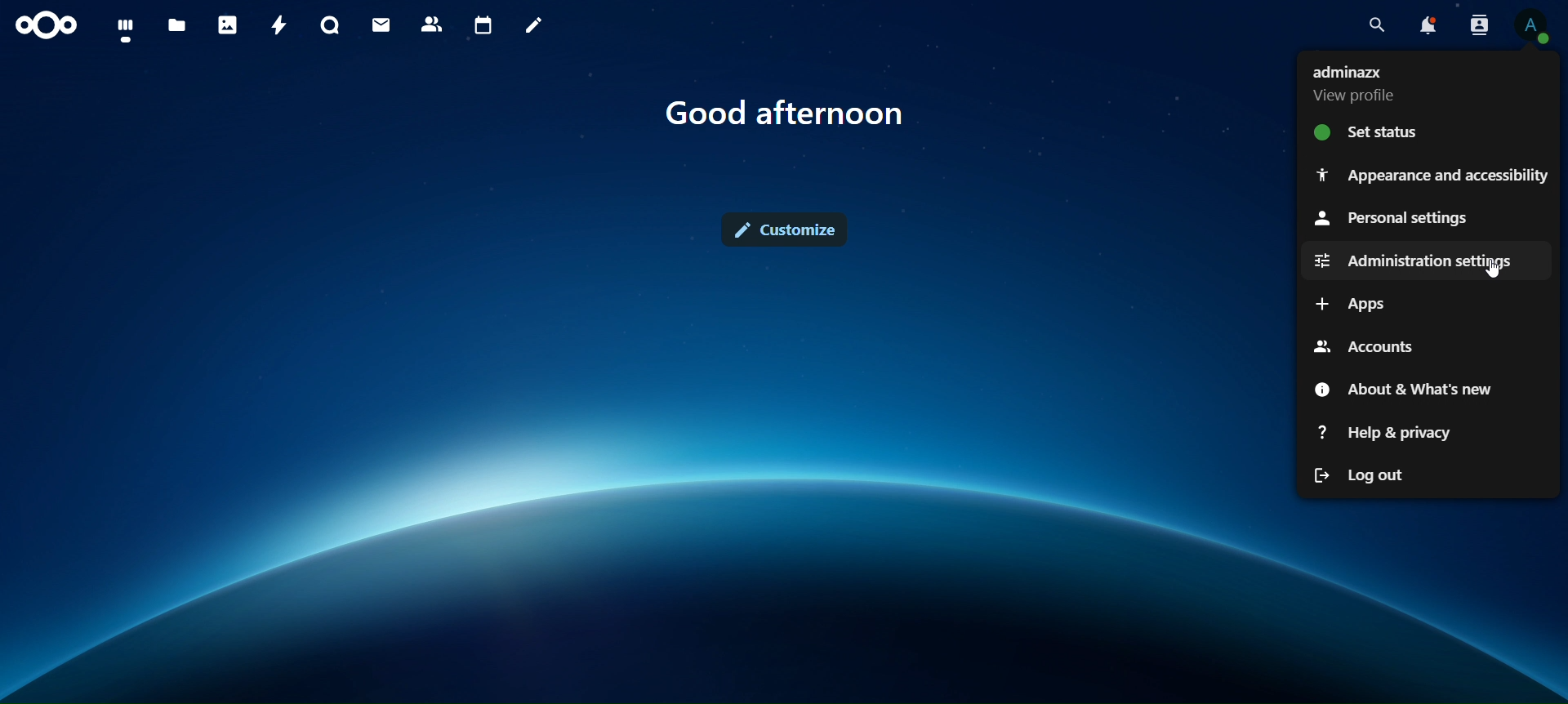 Image resolution: width=1568 pixels, height=704 pixels. What do you see at coordinates (1427, 25) in the screenshot?
I see `notifications` at bounding box center [1427, 25].